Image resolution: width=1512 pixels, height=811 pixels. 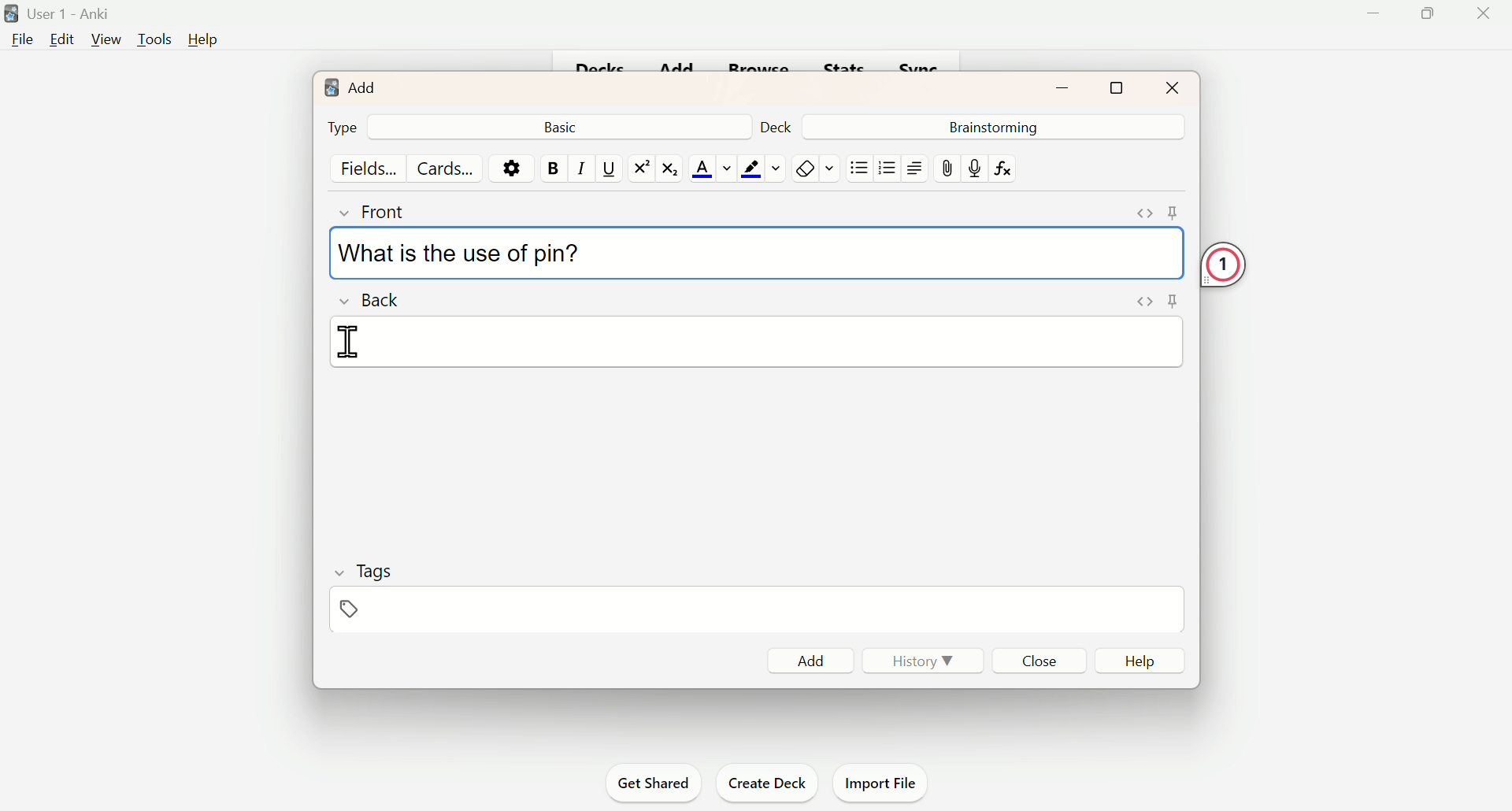 I want to click on , so click(x=65, y=38).